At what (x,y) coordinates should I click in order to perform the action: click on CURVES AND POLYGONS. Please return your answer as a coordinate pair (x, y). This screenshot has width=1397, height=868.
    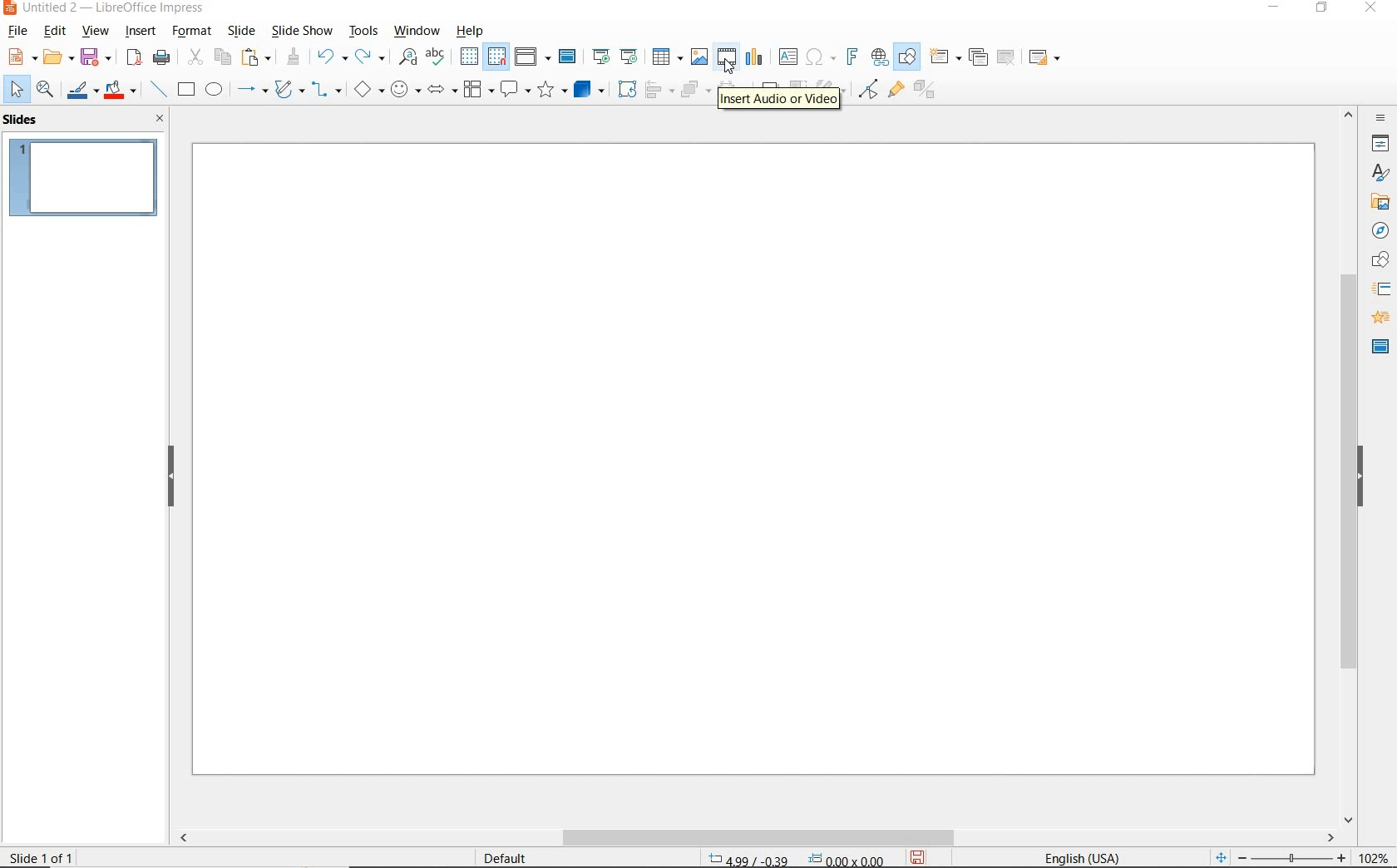
    Looking at the image, I should click on (289, 90).